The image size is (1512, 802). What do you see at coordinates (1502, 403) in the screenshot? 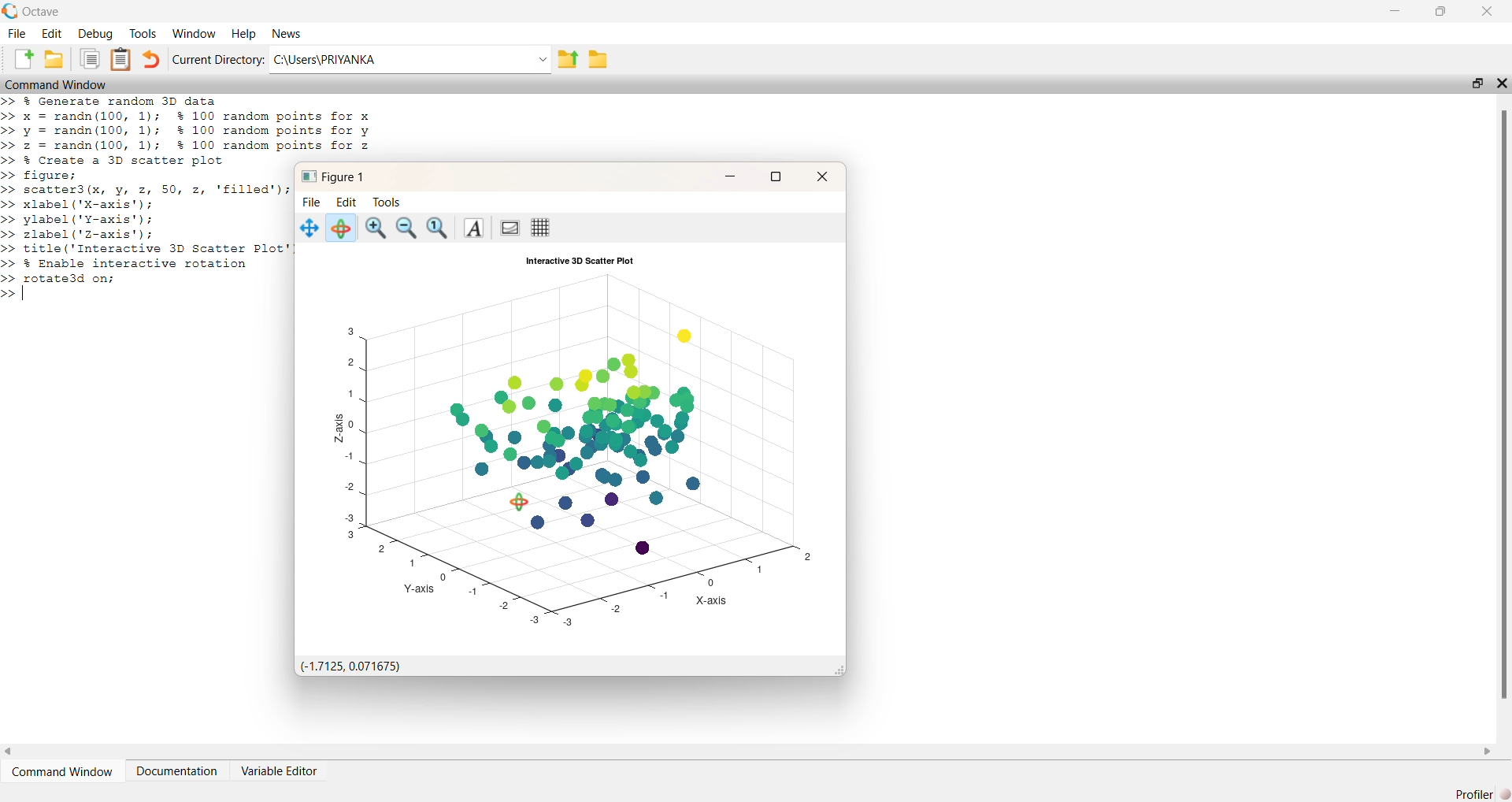
I see `scroll bar` at bounding box center [1502, 403].